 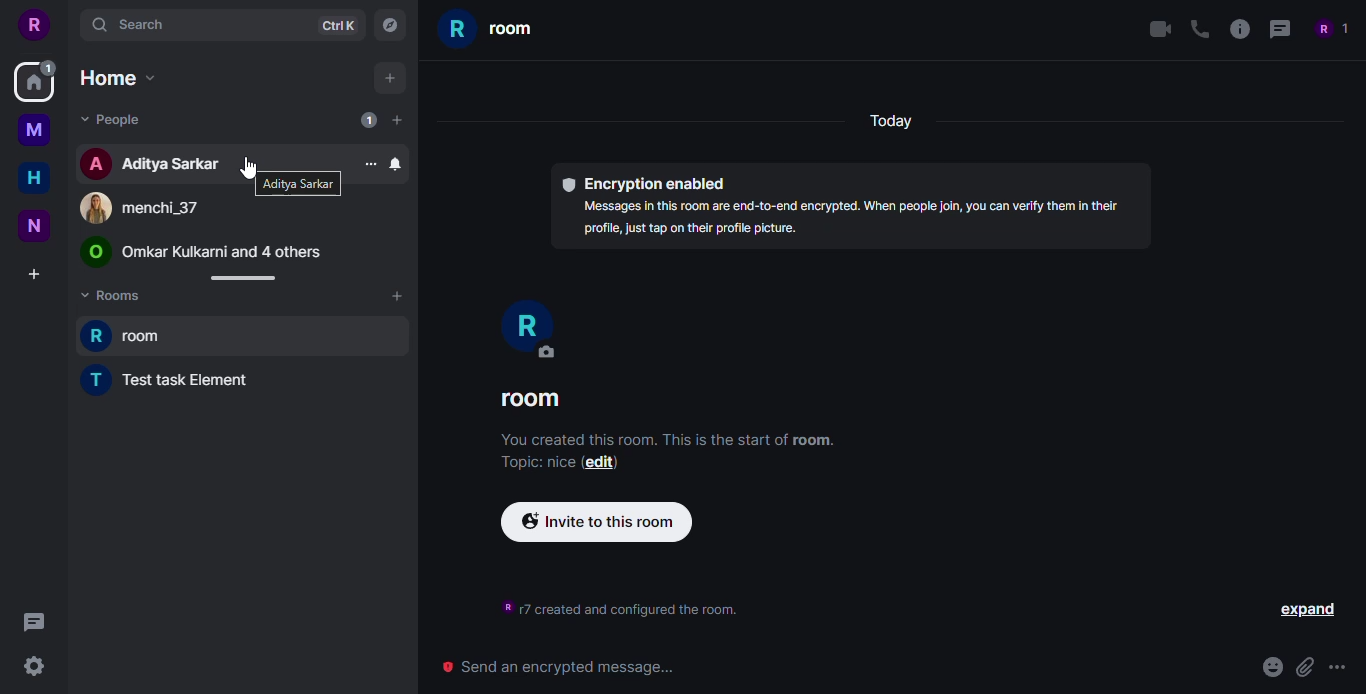 What do you see at coordinates (560, 668) in the screenshot?
I see `send an encrypted message` at bounding box center [560, 668].